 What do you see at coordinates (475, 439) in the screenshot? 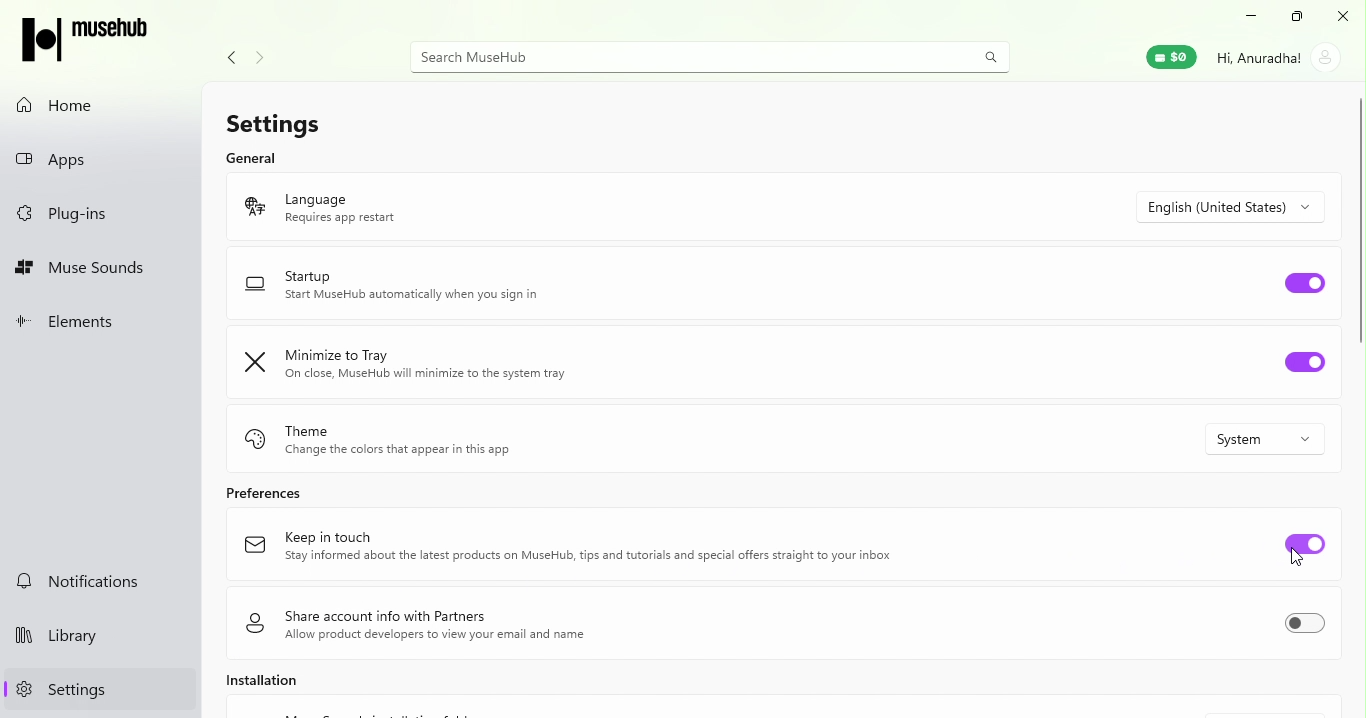
I see `Theme` at bounding box center [475, 439].